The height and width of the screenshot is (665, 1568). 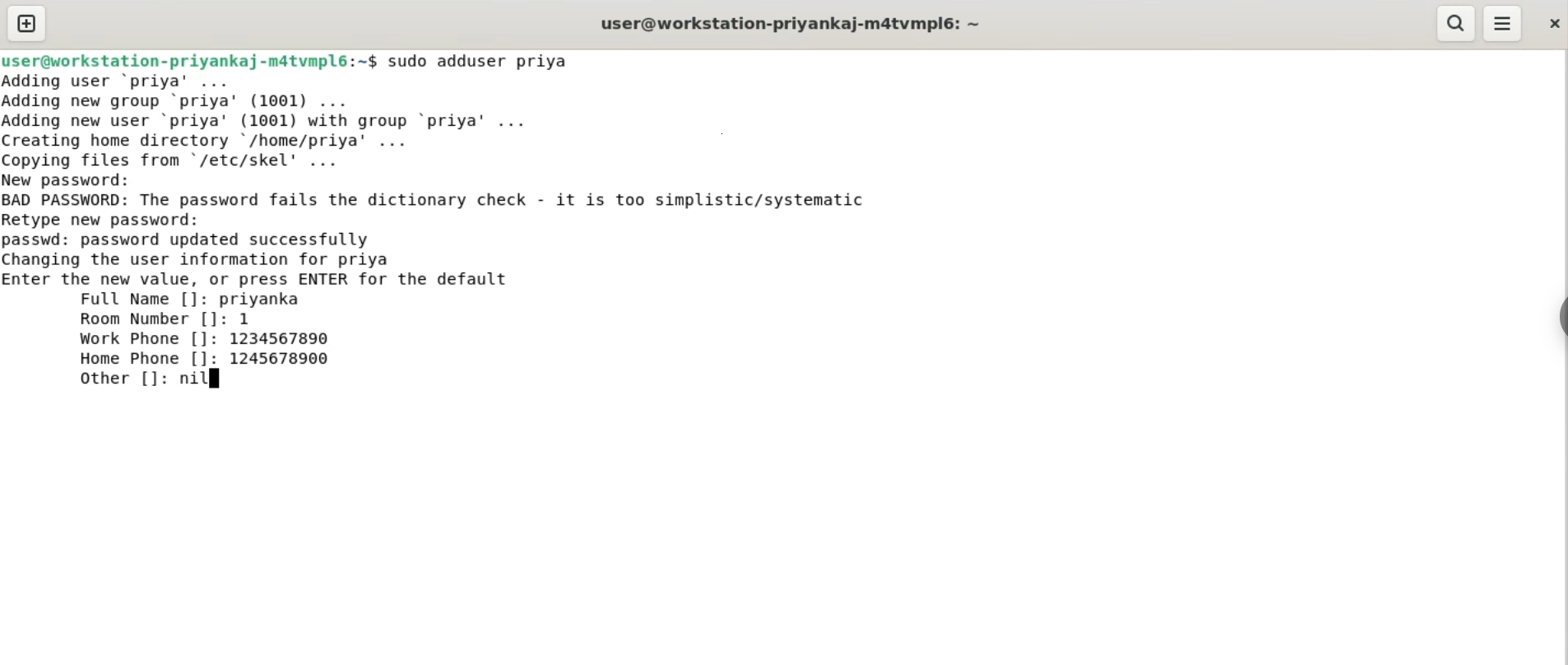 What do you see at coordinates (480, 61) in the screenshot?
I see `sudo adduser priya` at bounding box center [480, 61].